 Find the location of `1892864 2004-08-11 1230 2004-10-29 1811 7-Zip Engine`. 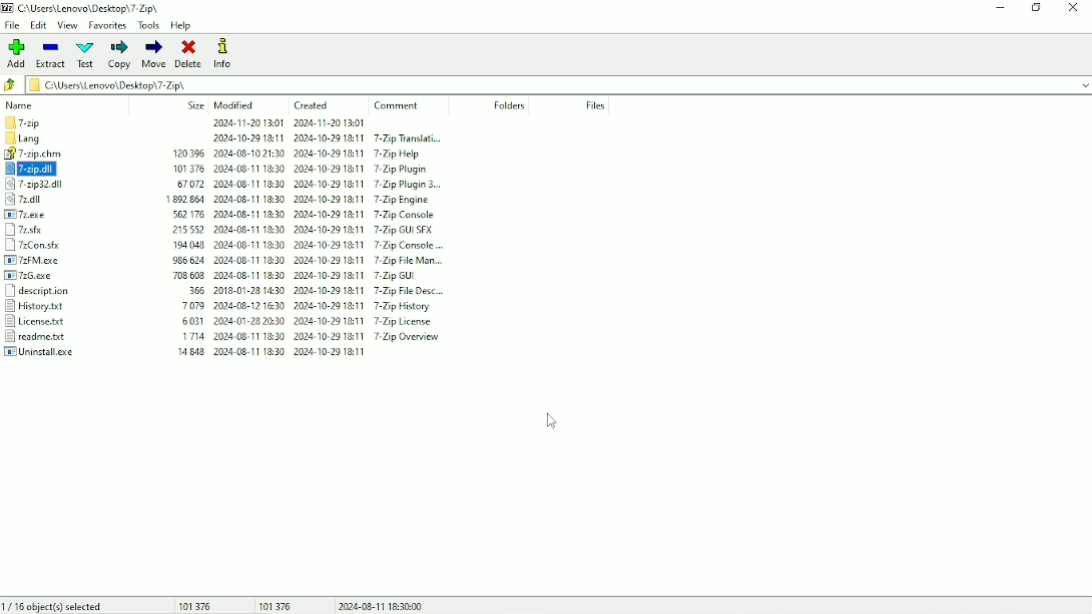

1892864 2004-08-11 1230 2004-10-29 1811 7-Zip Engine is located at coordinates (308, 198).